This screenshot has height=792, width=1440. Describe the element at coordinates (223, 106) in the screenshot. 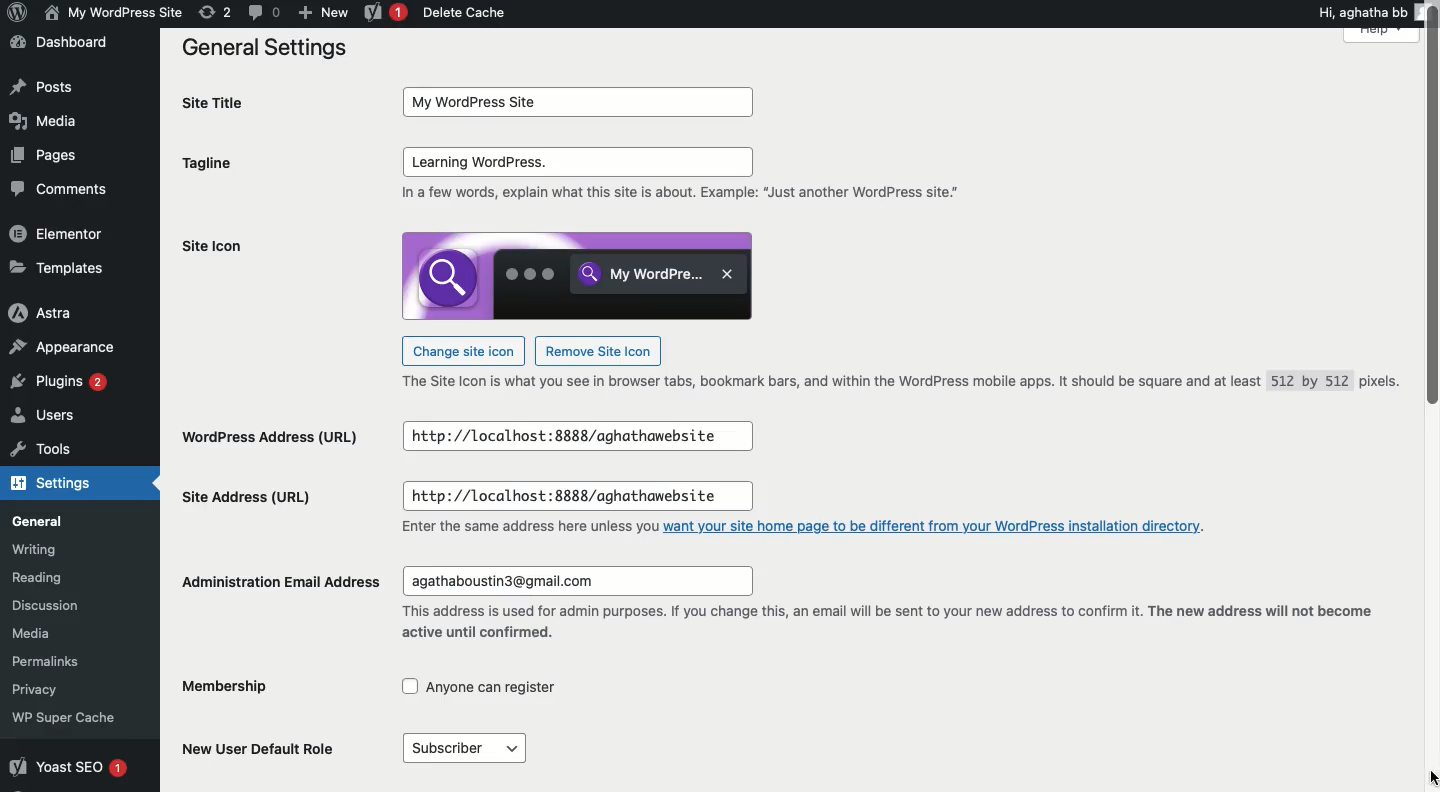

I see `Site title` at that location.